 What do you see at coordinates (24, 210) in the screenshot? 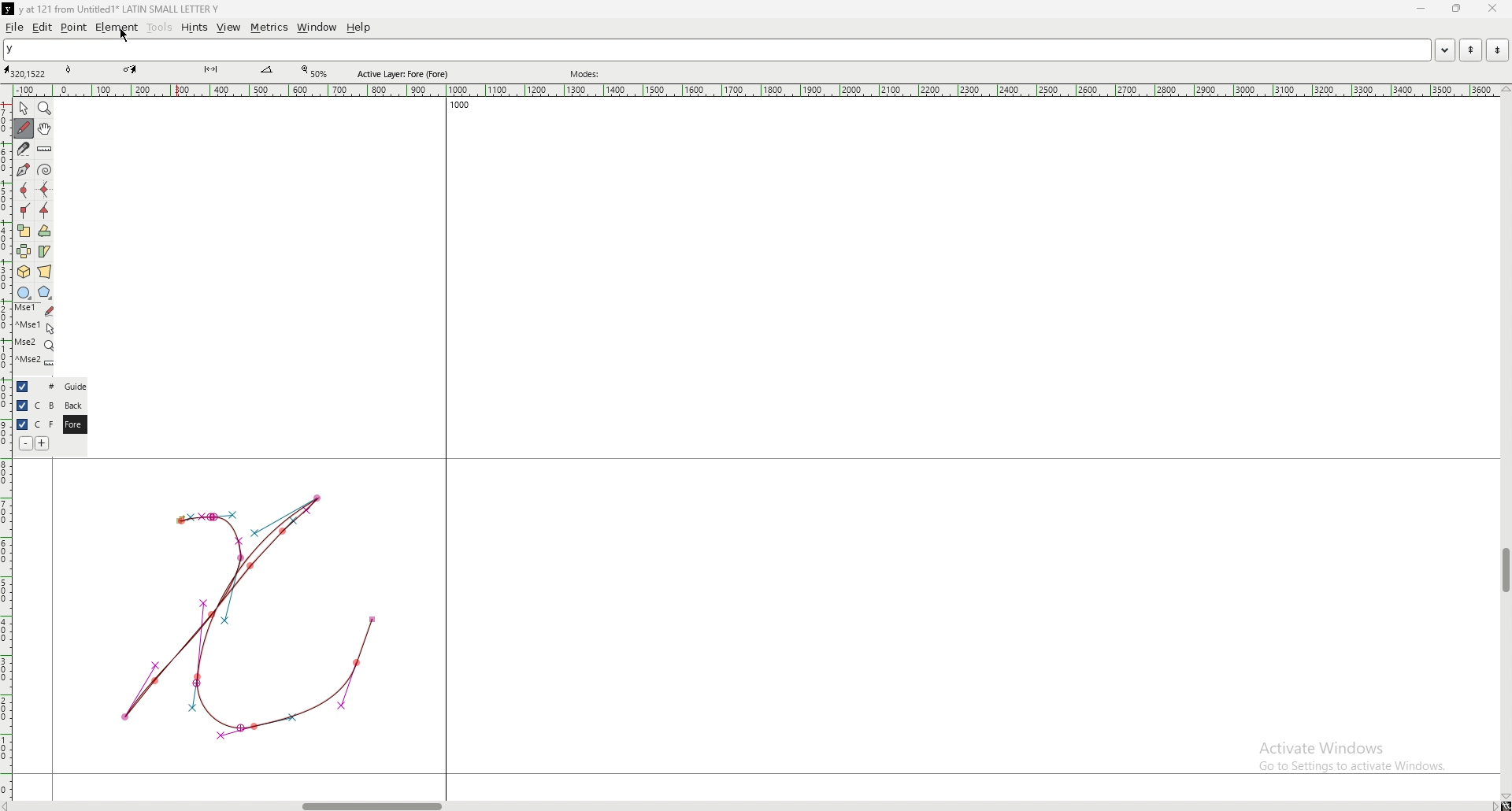
I see `add a corner point` at bounding box center [24, 210].